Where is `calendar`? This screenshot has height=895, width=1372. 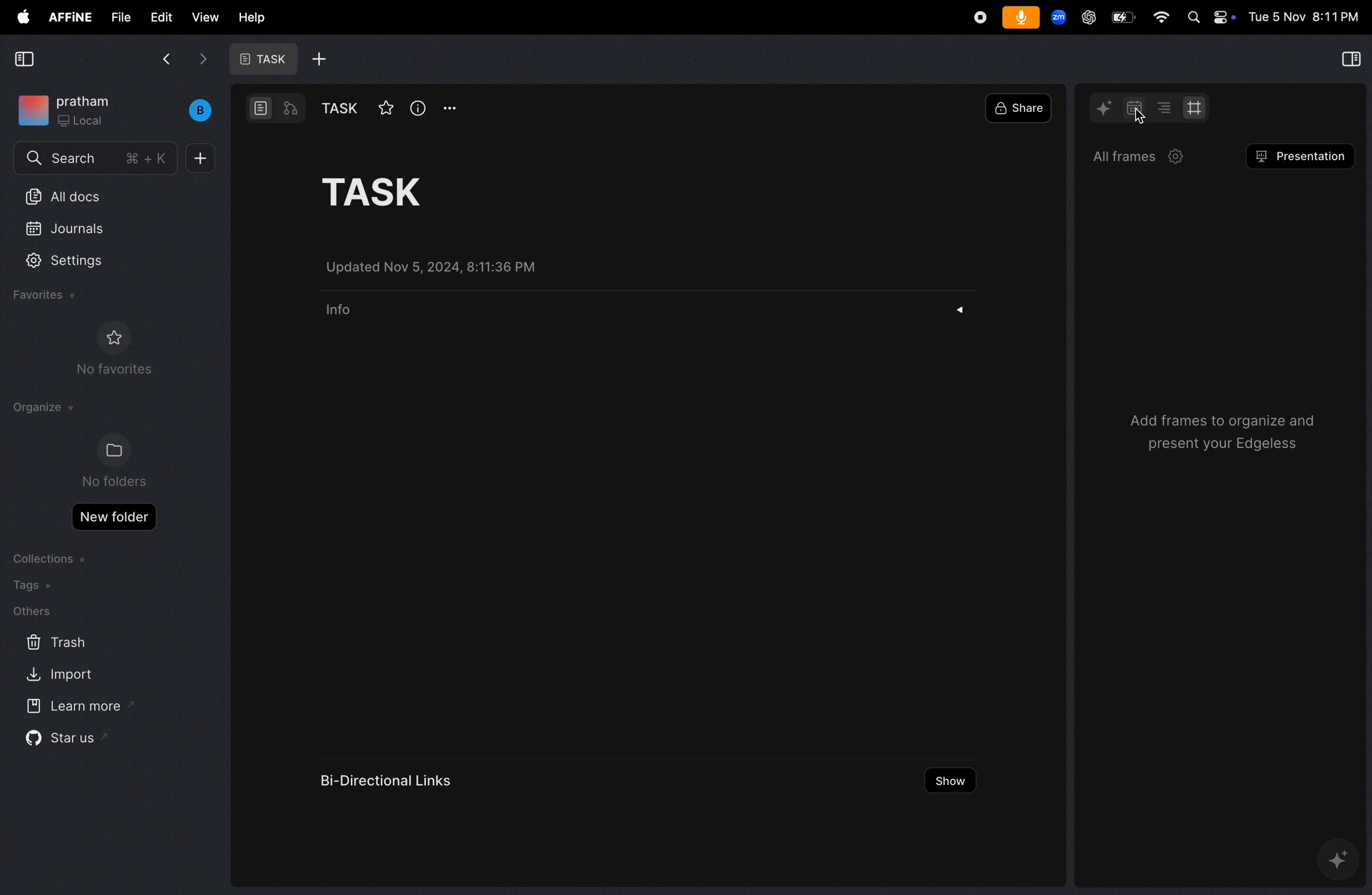 calendar is located at coordinates (1130, 108).